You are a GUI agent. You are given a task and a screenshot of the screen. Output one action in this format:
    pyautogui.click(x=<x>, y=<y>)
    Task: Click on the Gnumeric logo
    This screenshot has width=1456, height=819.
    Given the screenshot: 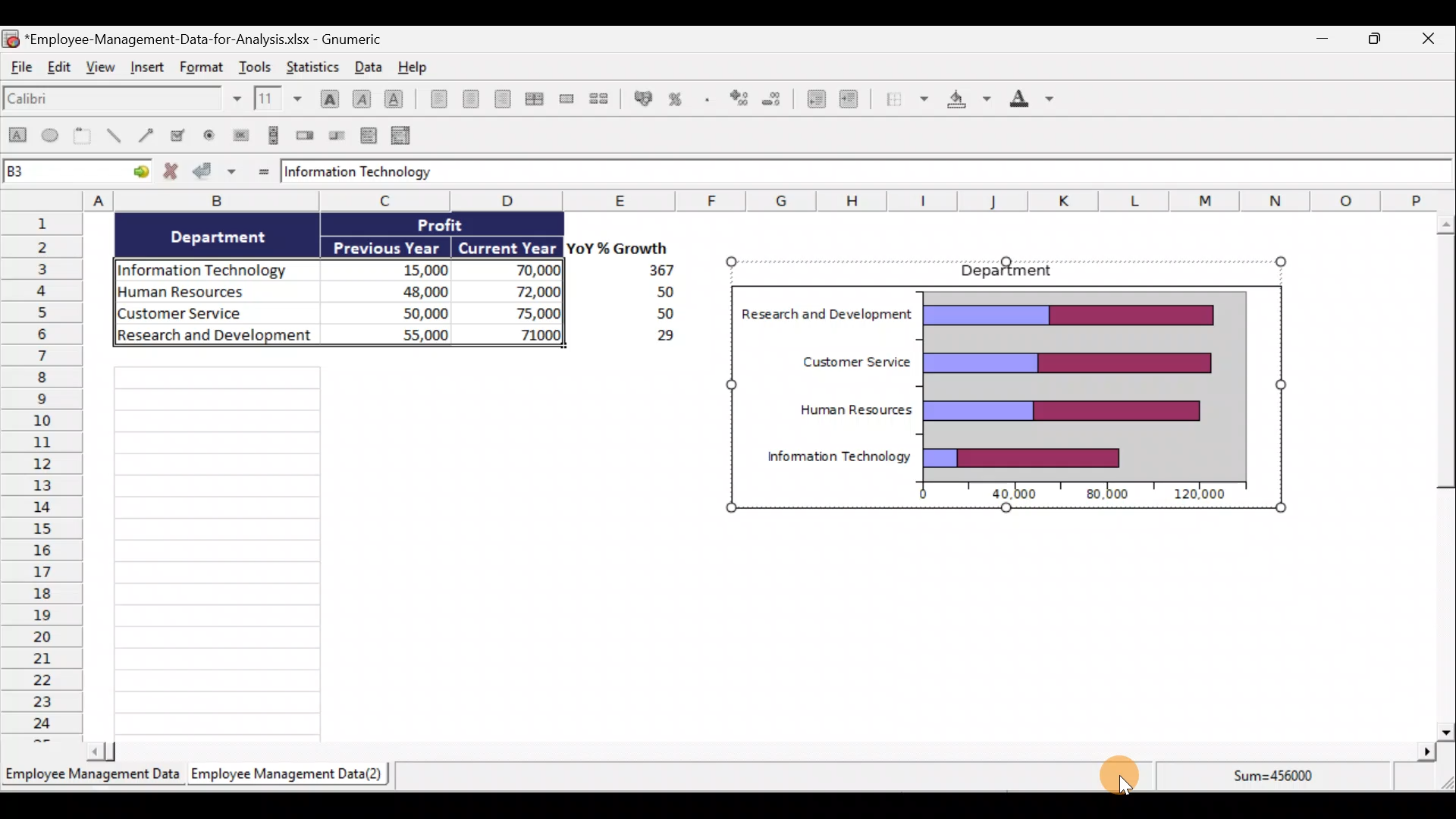 What is the action you would take?
    pyautogui.click(x=11, y=38)
    